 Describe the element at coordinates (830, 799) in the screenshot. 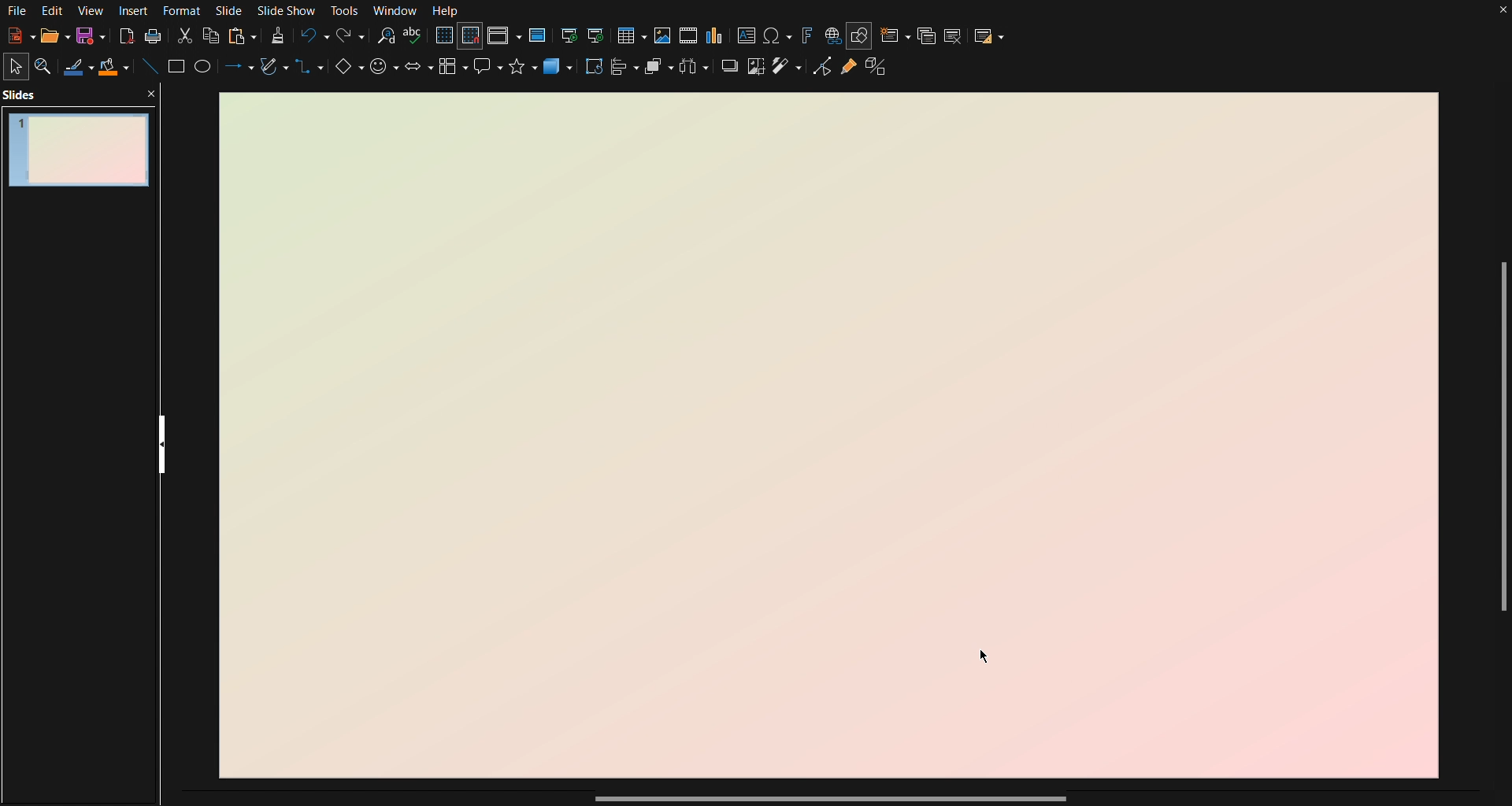

I see `Scrollbar` at that location.